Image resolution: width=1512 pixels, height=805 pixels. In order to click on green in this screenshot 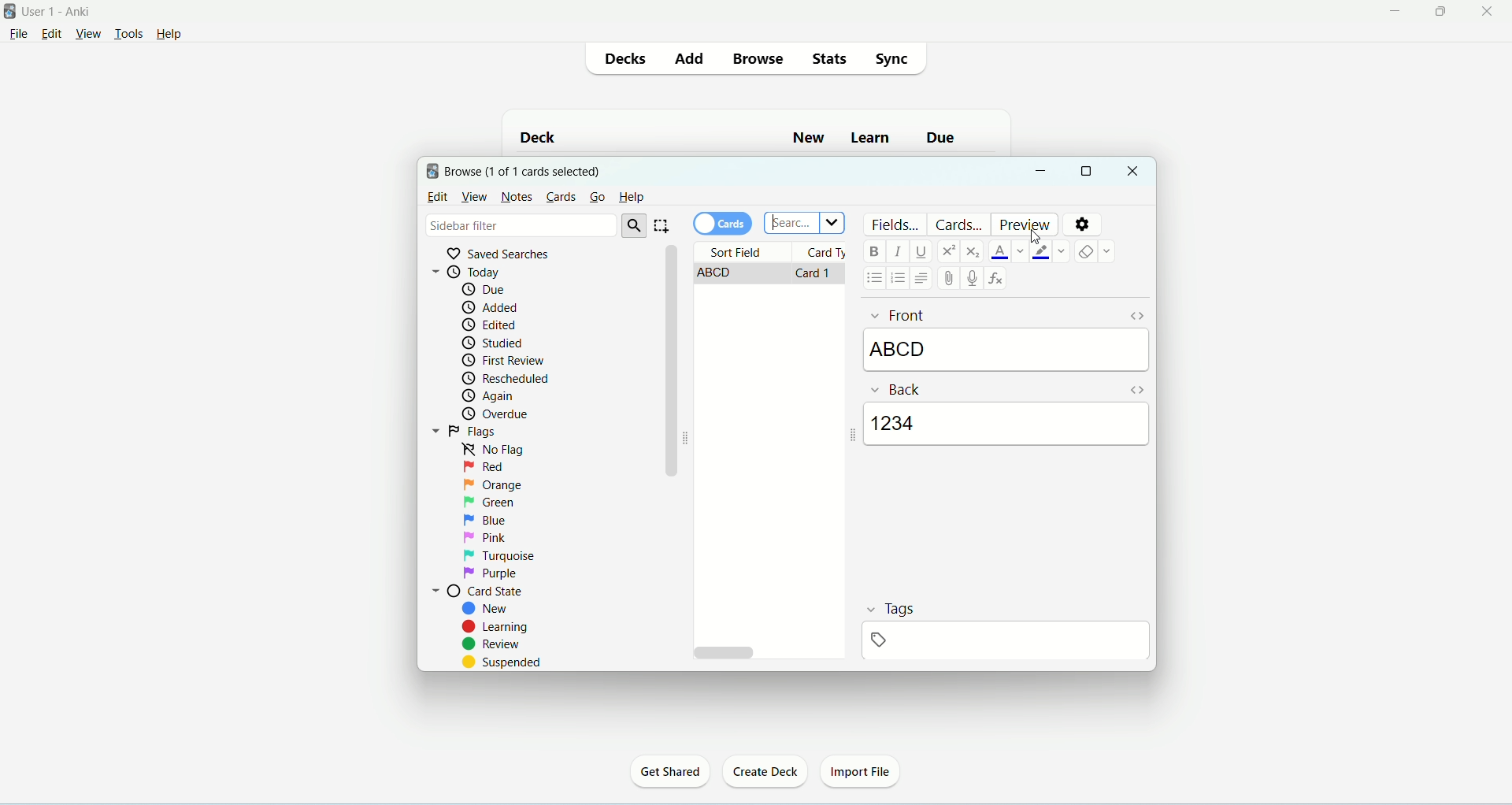, I will do `click(490, 504)`.